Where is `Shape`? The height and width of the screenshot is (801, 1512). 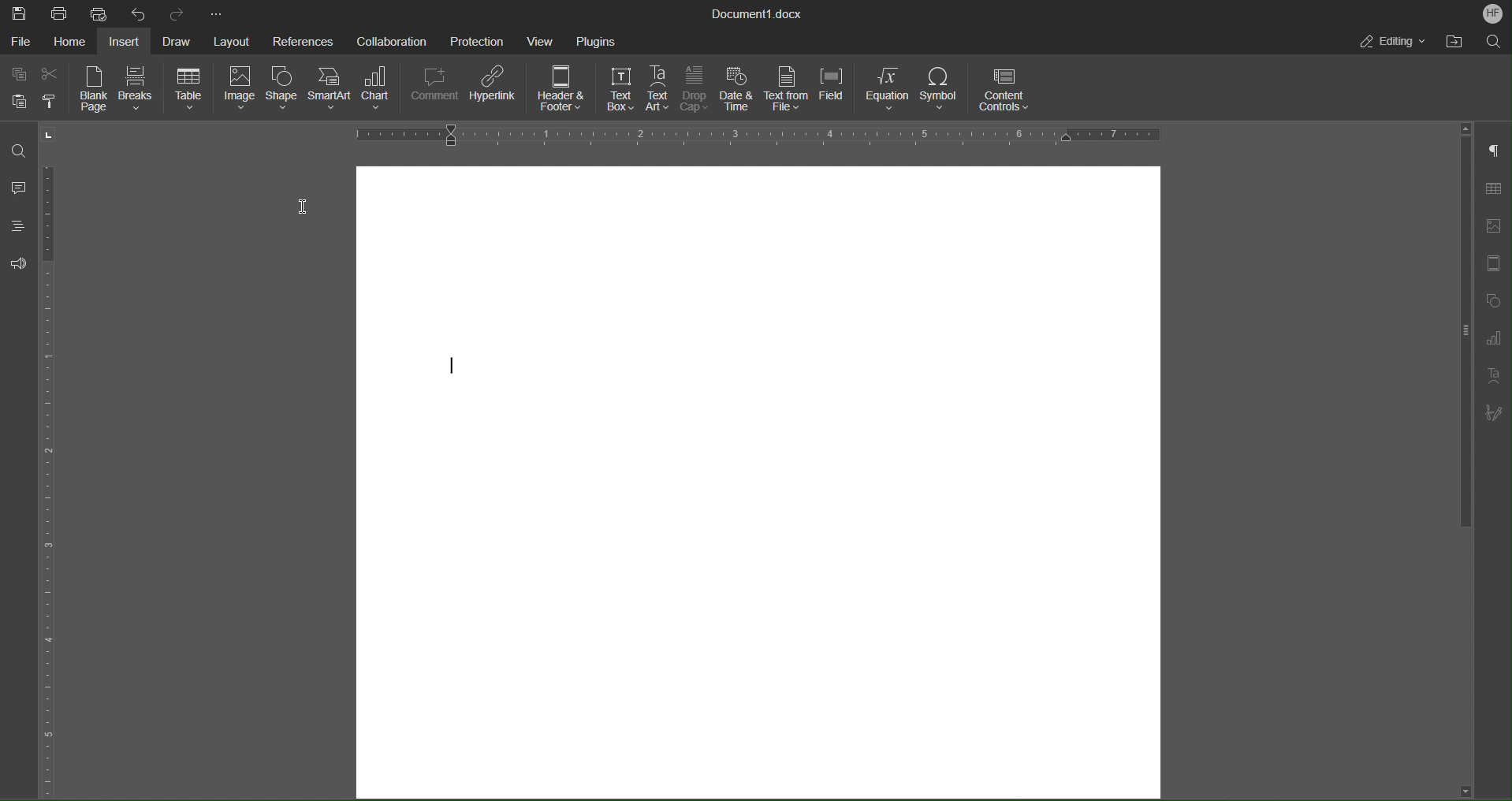 Shape is located at coordinates (283, 90).